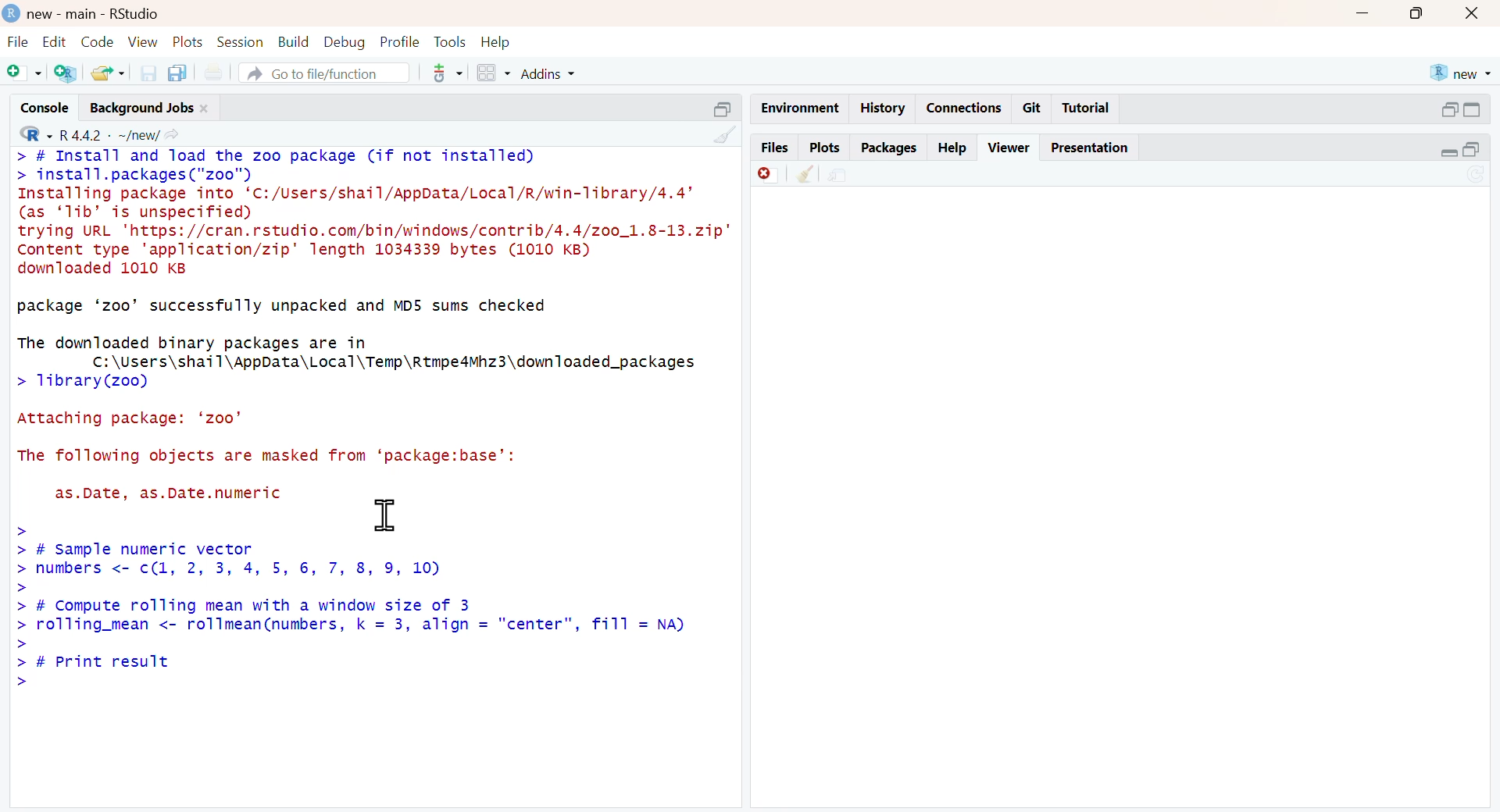  Describe the element at coordinates (189, 41) in the screenshot. I see `plots` at that location.